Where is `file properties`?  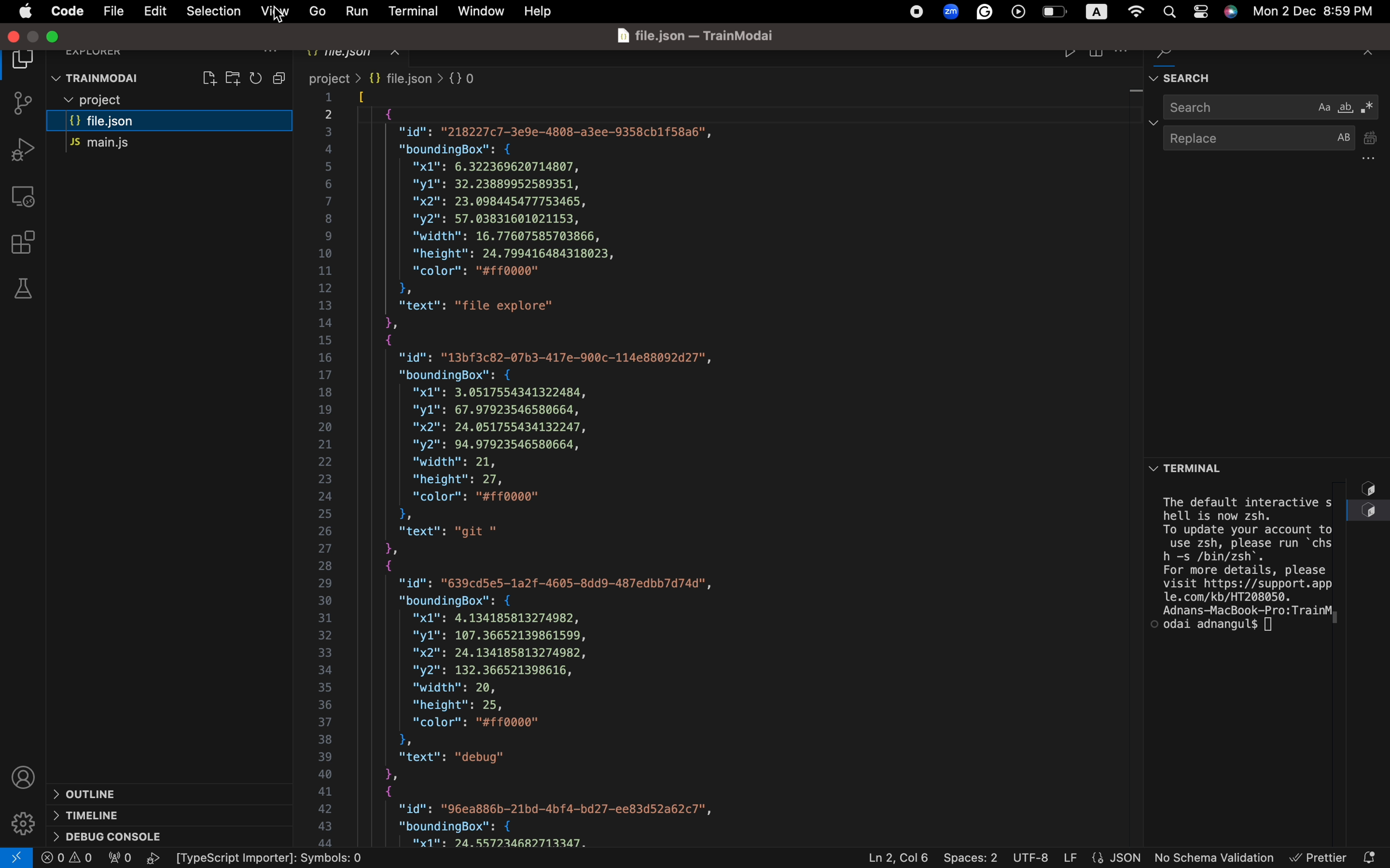 file properties is located at coordinates (1101, 858).